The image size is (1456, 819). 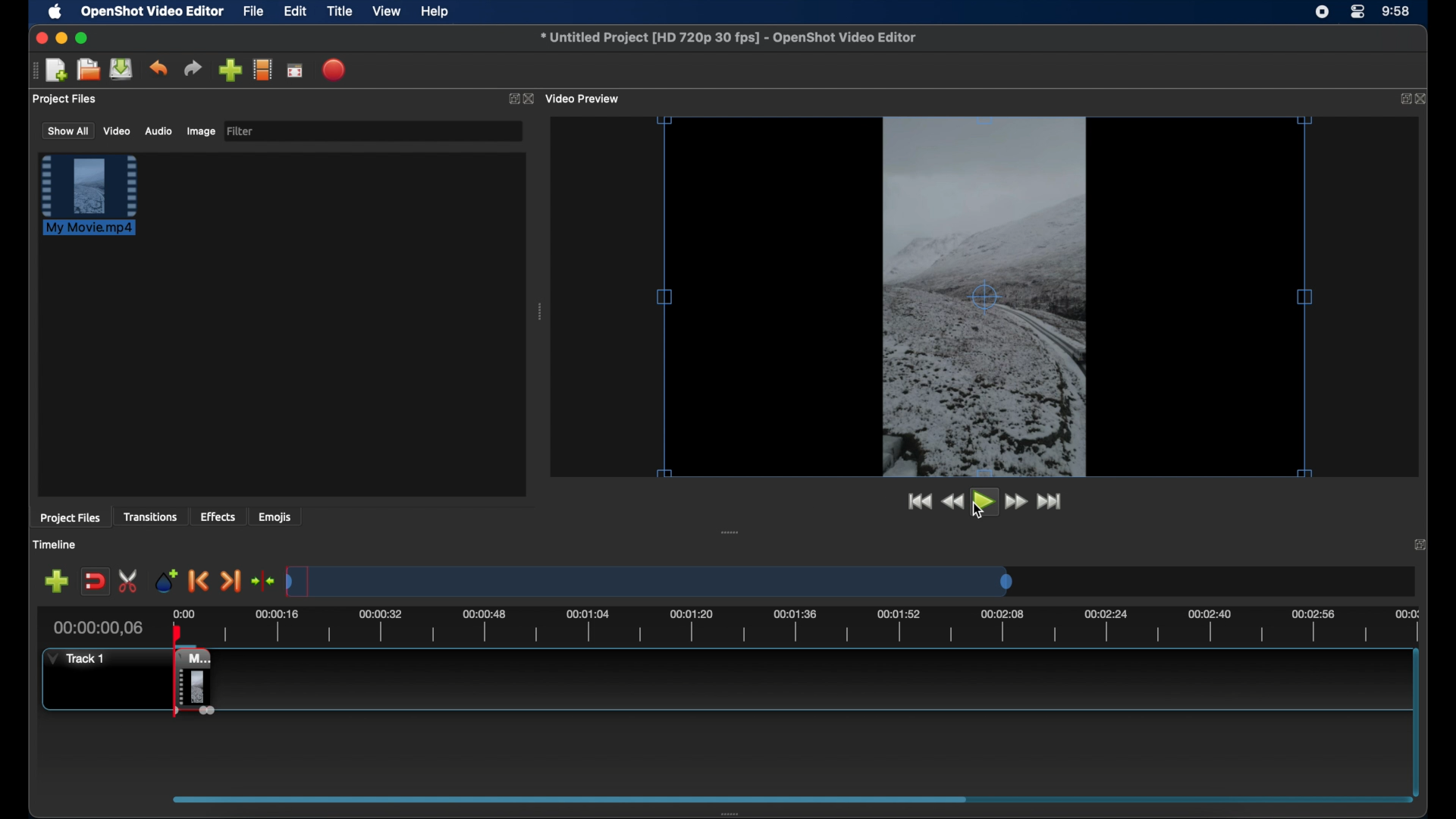 I want to click on jumpt to  end, so click(x=1050, y=501).